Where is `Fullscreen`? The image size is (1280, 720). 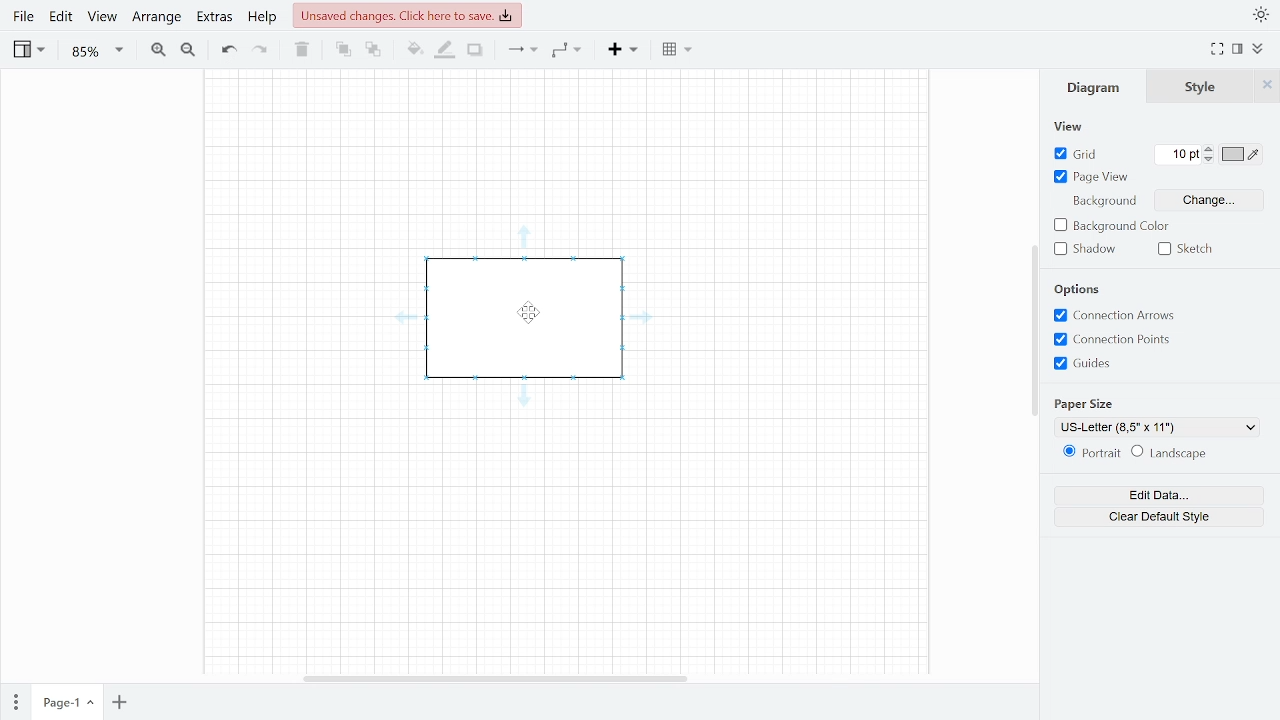
Fullscreen is located at coordinates (1217, 50).